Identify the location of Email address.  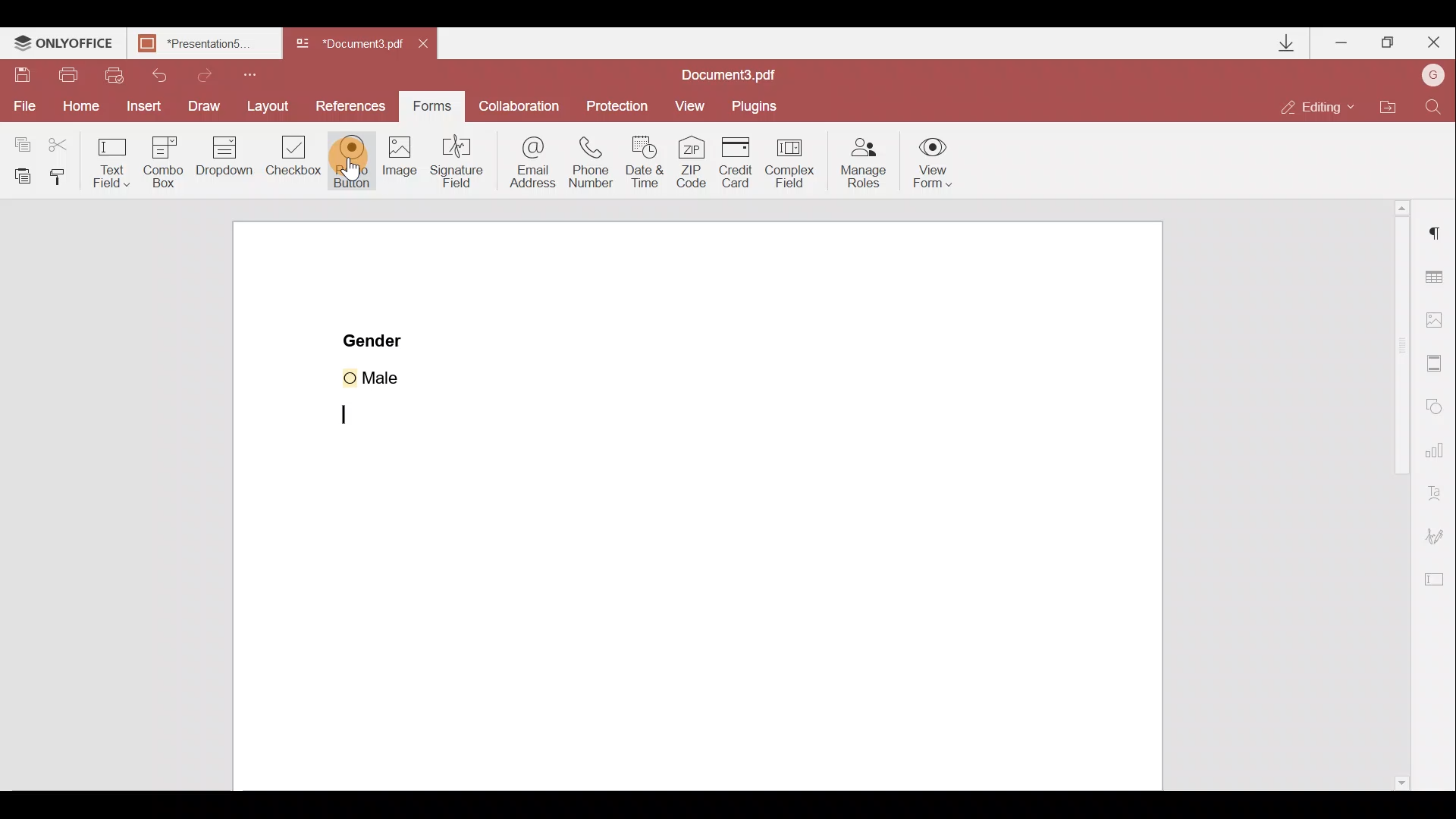
(531, 163).